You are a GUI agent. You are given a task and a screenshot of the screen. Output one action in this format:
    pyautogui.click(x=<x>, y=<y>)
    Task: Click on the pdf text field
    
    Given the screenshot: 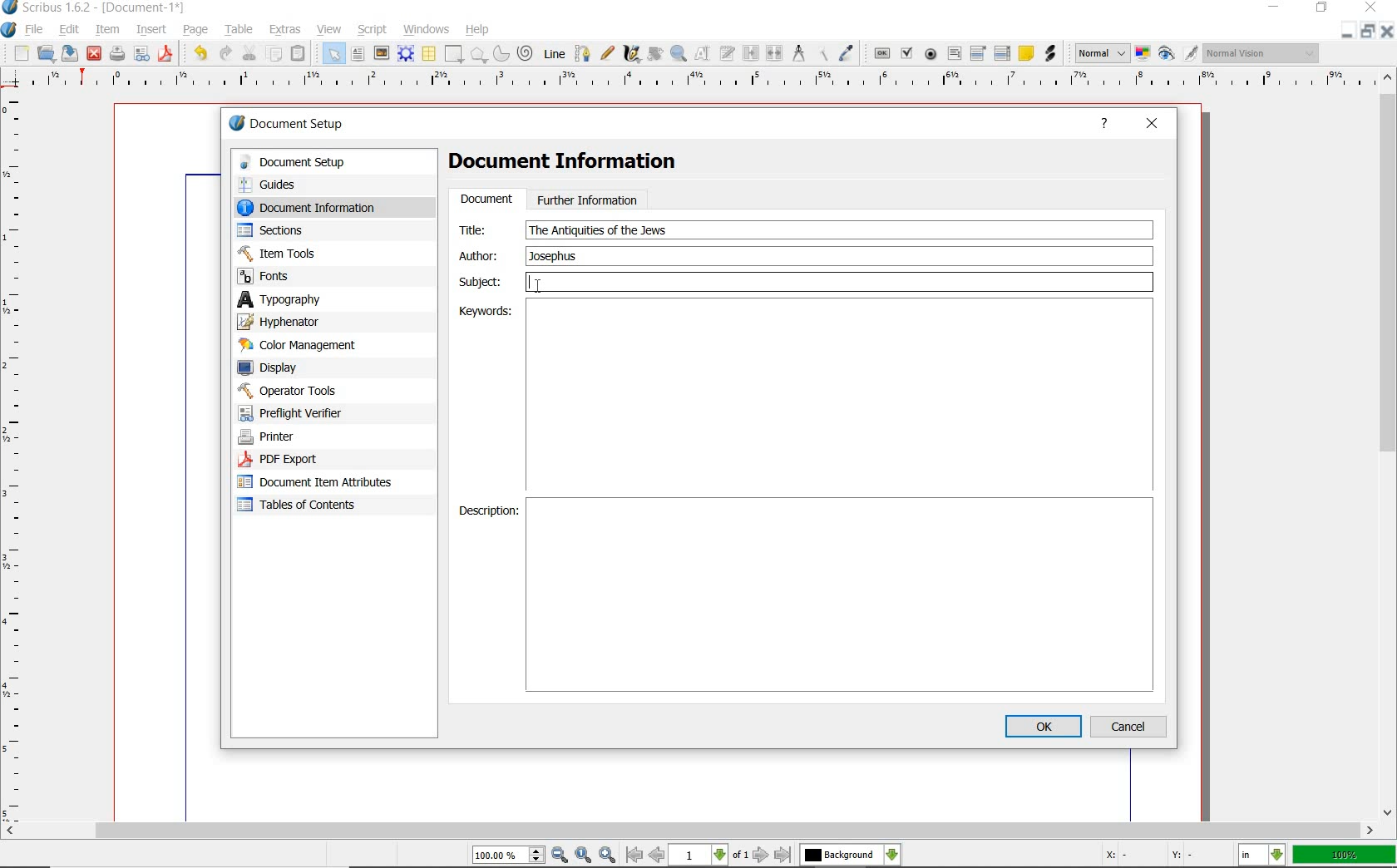 What is the action you would take?
    pyautogui.click(x=954, y=54)
    